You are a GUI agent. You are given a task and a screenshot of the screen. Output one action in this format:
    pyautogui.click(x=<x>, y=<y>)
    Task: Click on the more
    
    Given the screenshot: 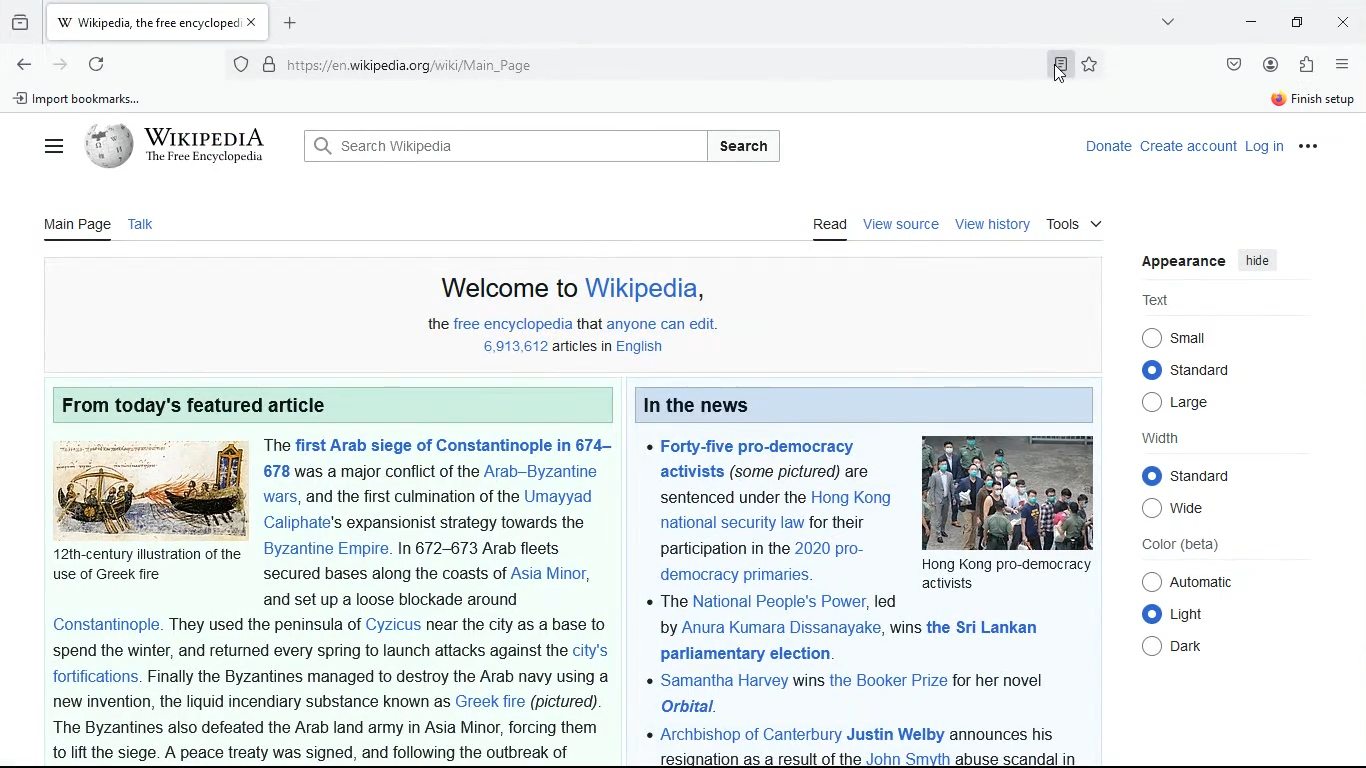 What is the action you would take?
    pyautogui.click(x=1319, y=149)
    